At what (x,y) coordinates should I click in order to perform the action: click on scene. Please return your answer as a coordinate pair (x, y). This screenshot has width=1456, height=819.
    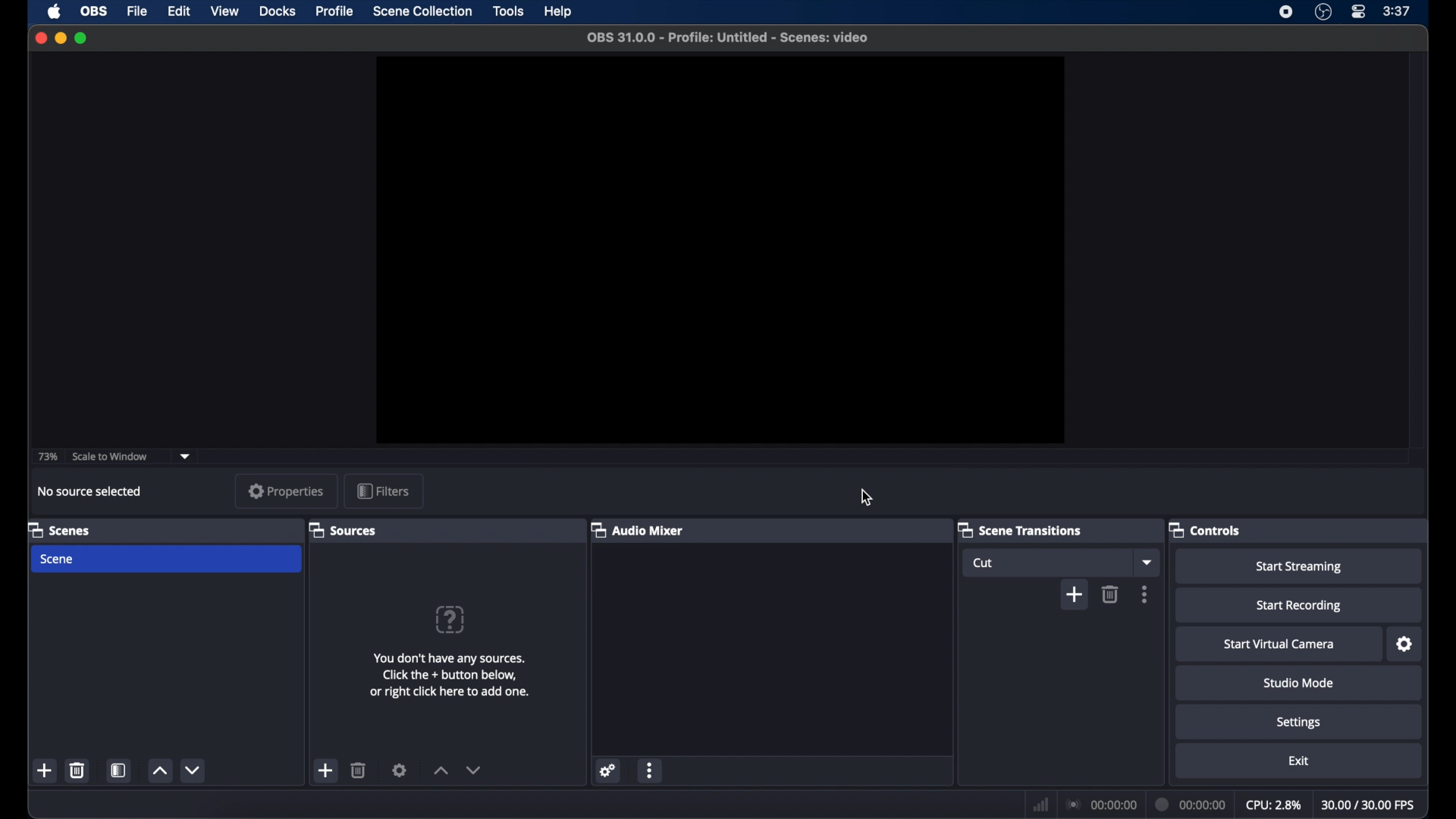
    Looking at the image, I should click on (58, 560).